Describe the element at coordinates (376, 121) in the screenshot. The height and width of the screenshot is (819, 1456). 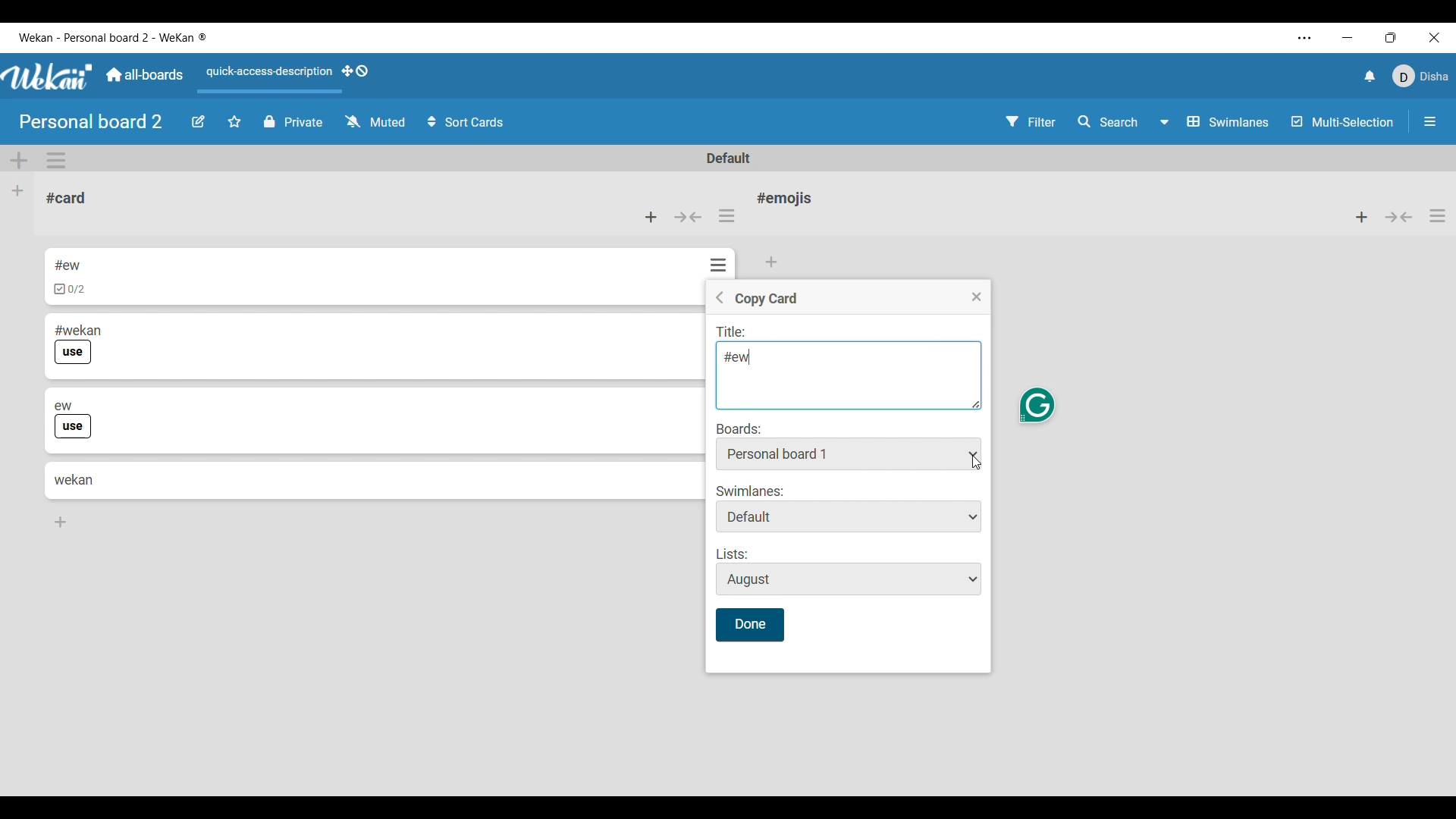
I see `Watch options` at that location.